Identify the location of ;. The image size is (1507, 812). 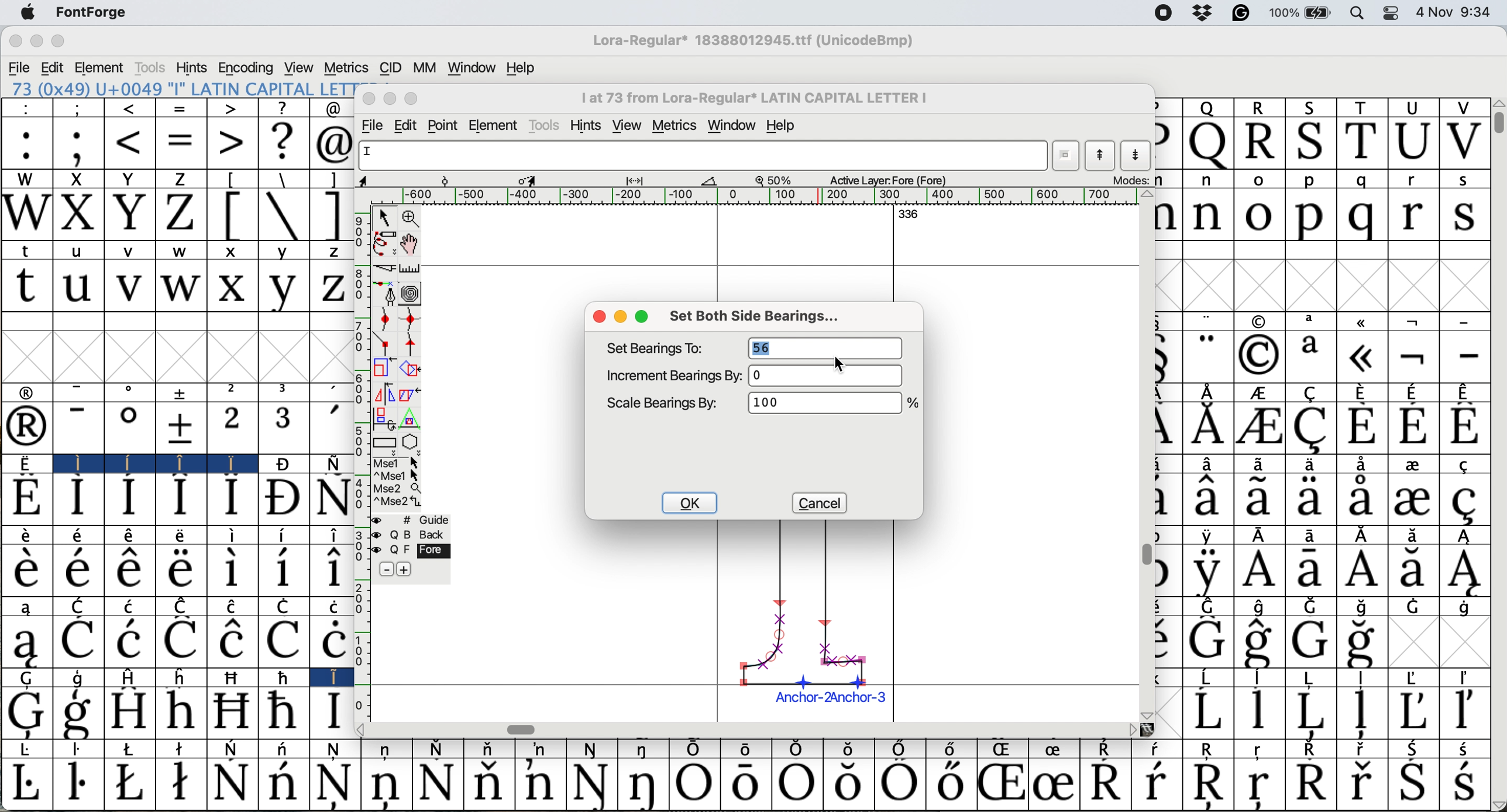
(78, 146).